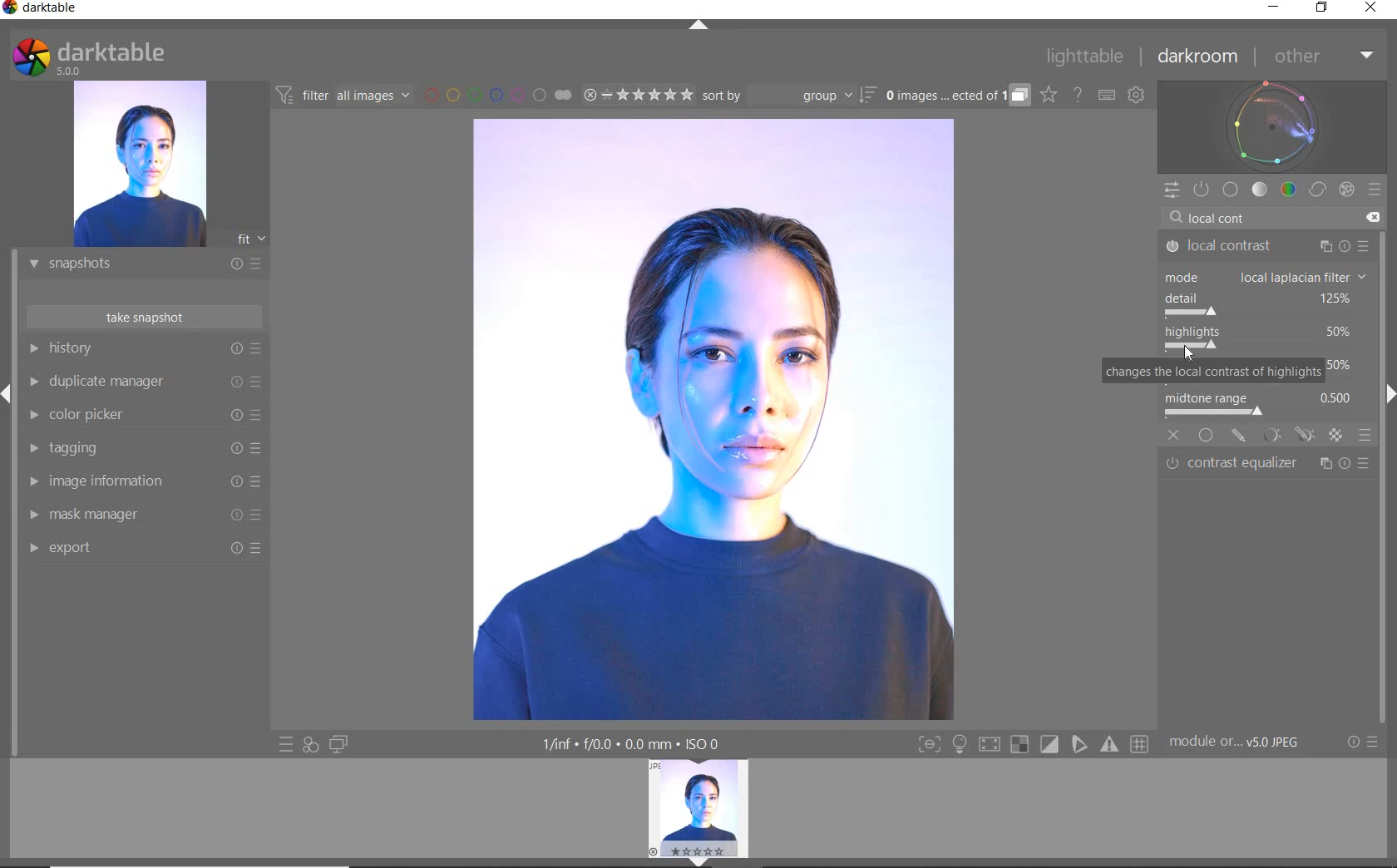 This screenshot has width=1397, height=868. What do you see at coordinates (1266, 304) in the screenshot?
I see `detail` at bounding box center [1266, 304].